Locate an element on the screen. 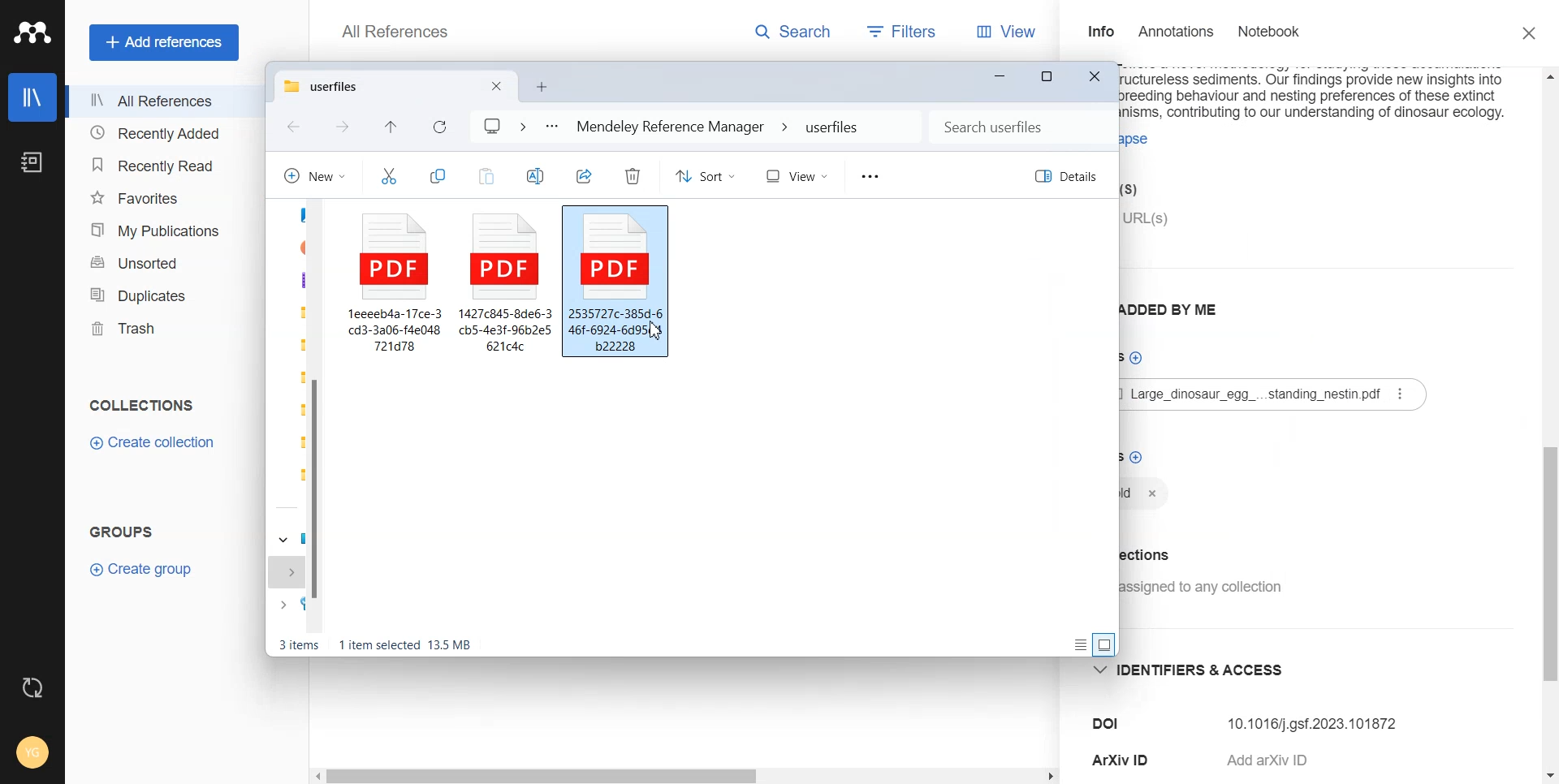 Image resolution: width=1559 pixels, height=784 pixels. Close is located at coordinates (1095, 75).